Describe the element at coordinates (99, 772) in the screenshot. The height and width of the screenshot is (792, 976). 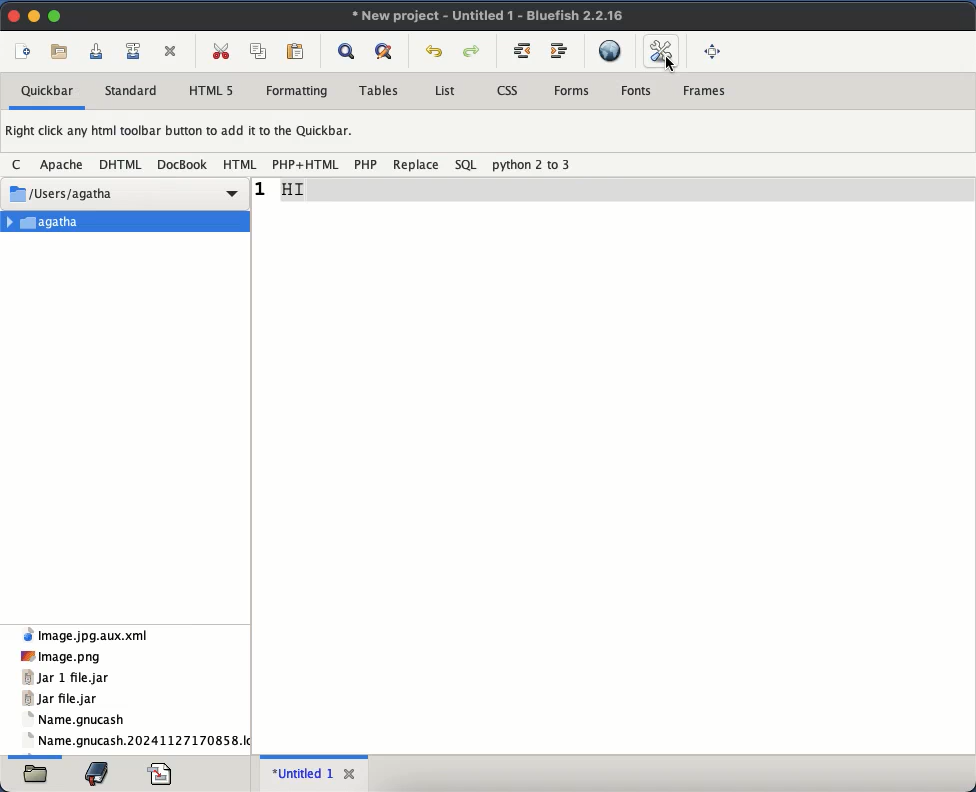
I see `bookmark` at that location.